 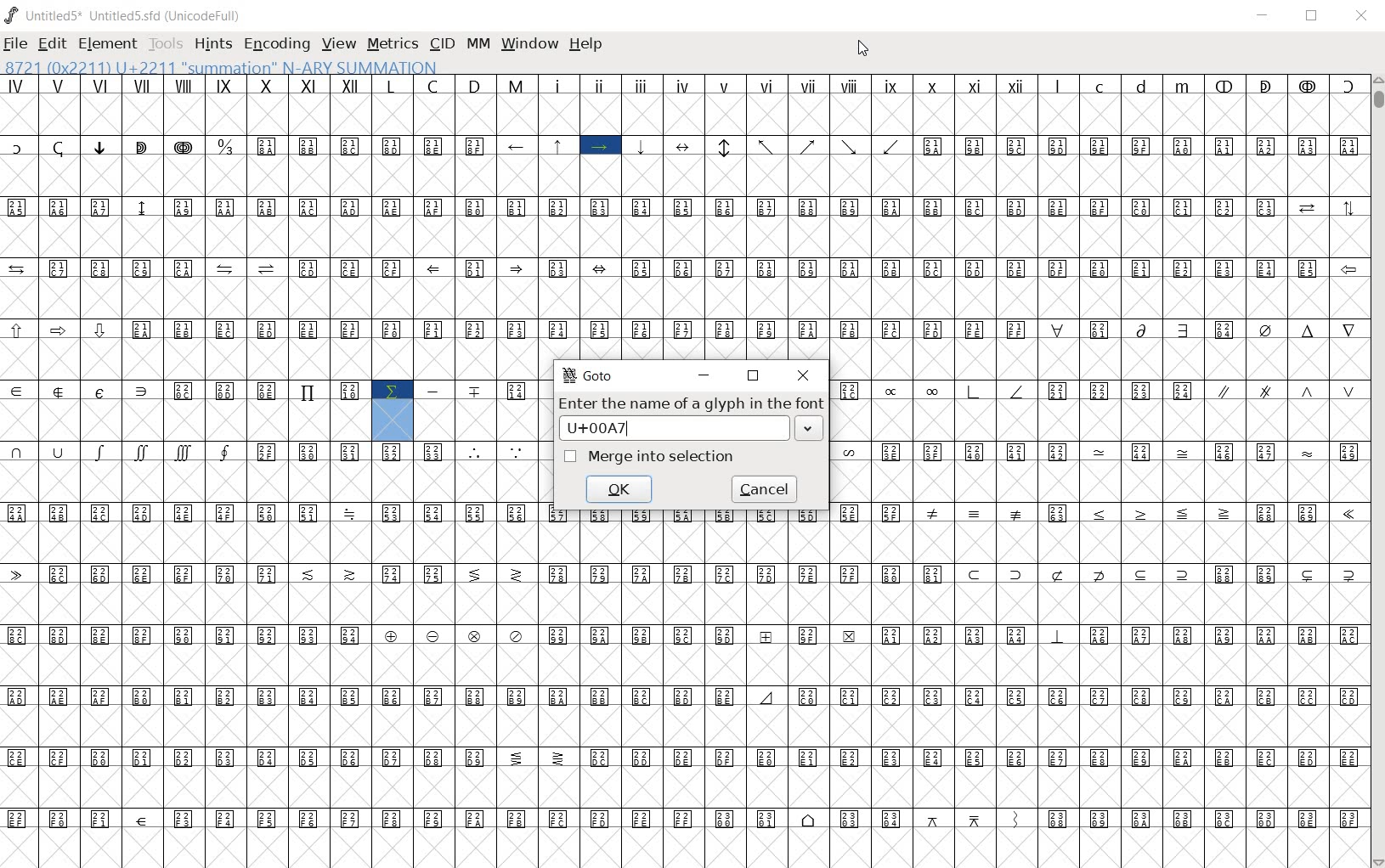 What do you see at coordinates (394, 45) in the screenshot?
I see `METRICS` at bounding box center [394, 45].